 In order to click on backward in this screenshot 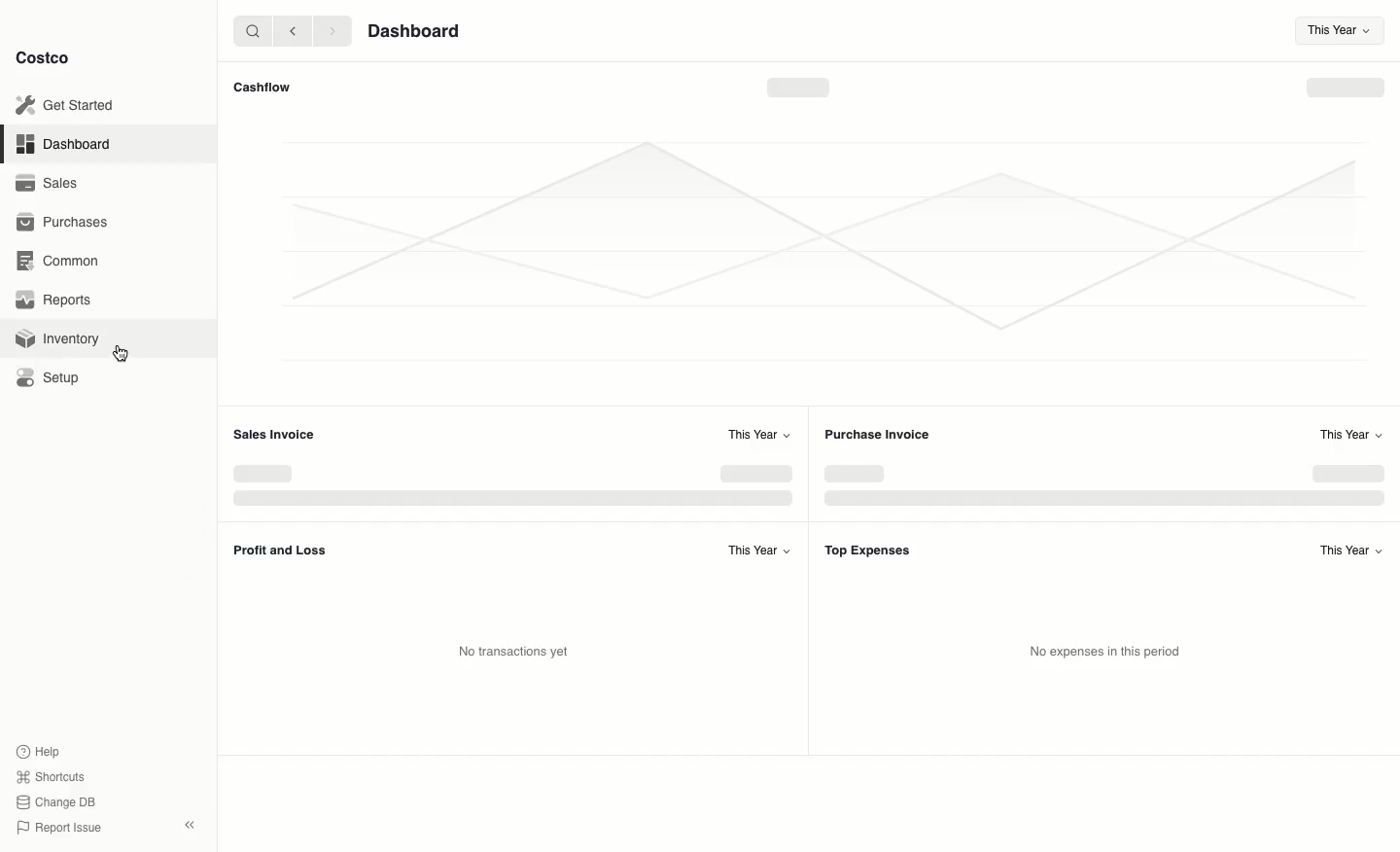, I will do `click(296, 32)`.